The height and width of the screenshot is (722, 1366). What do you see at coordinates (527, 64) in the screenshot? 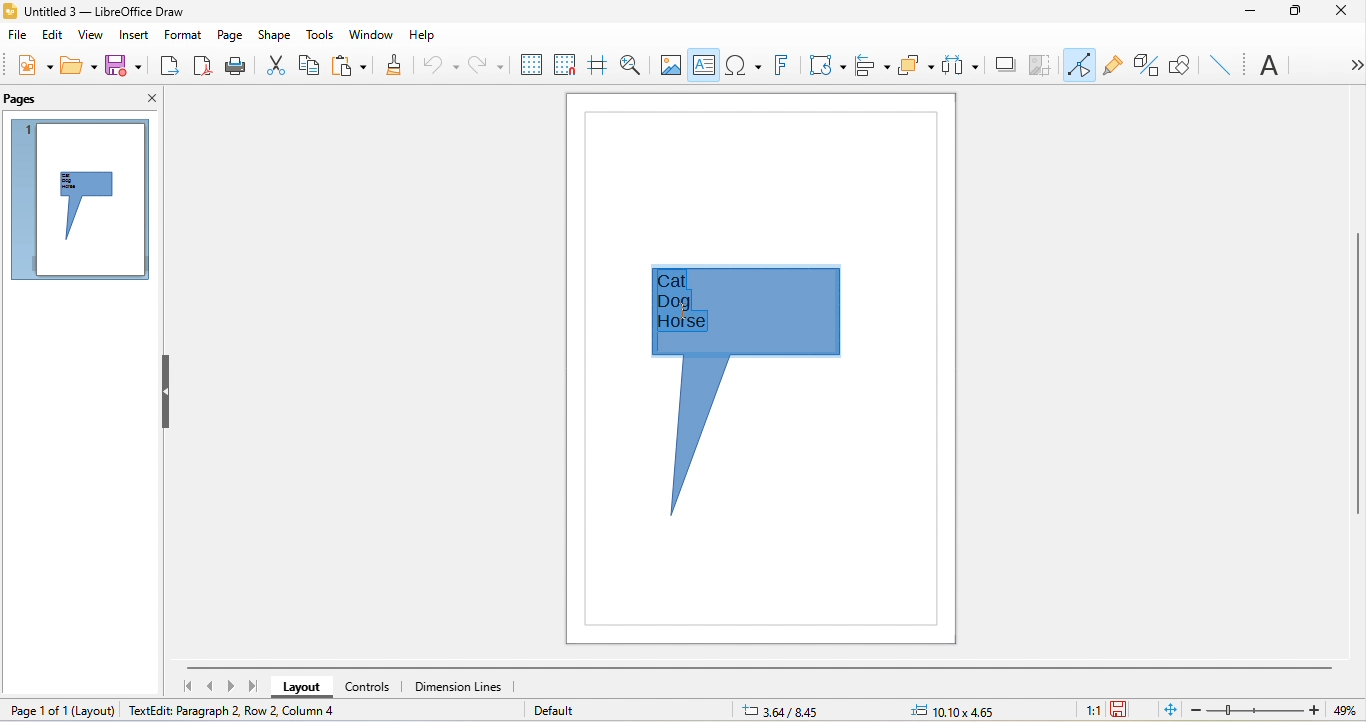
I see `display to grids` at bounding box center [527, 64].